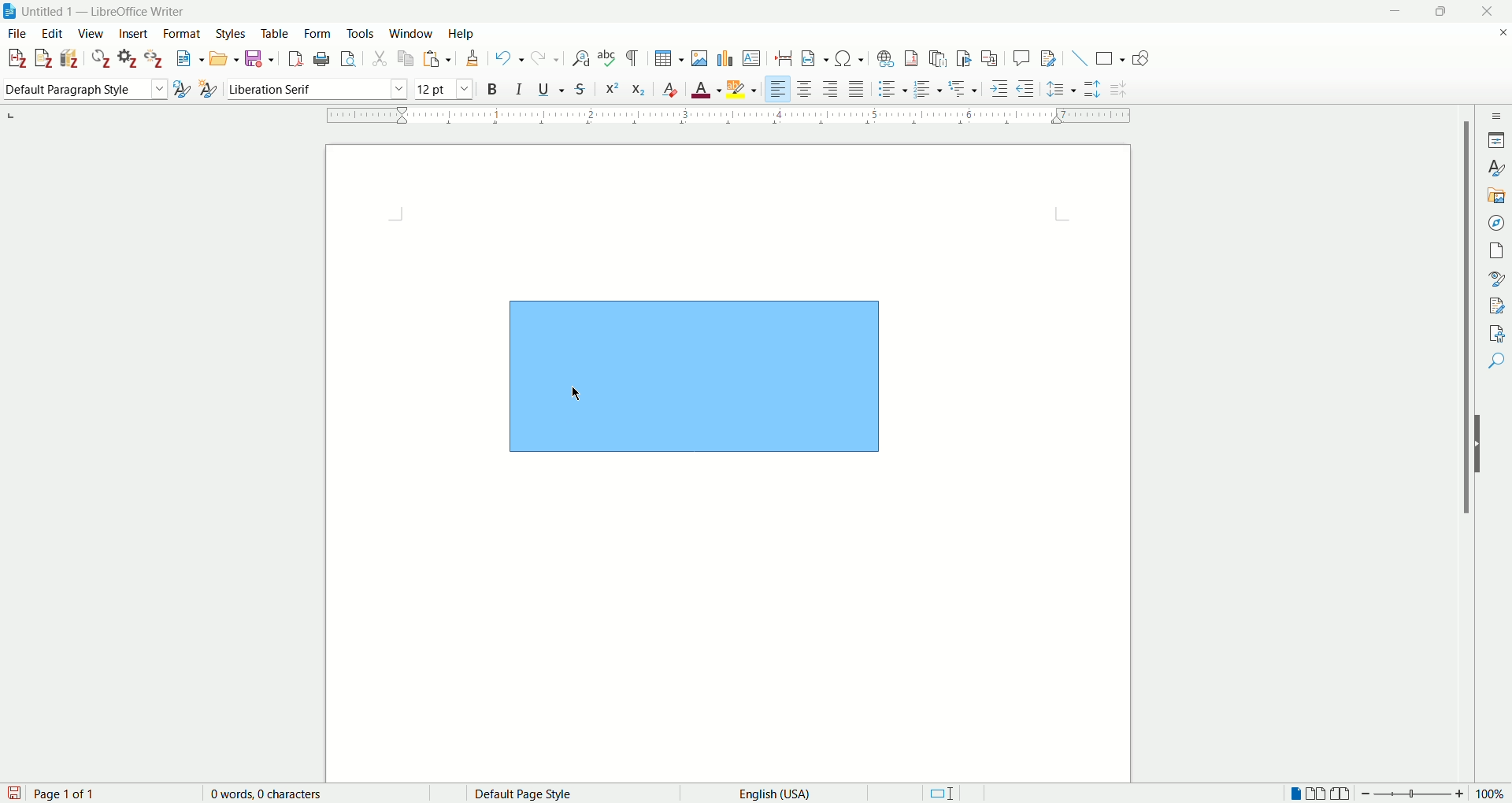  What do you see at coordinates (781, 793) in the screenshot?
I see `English(USA)` at bounding box center [781, 793].